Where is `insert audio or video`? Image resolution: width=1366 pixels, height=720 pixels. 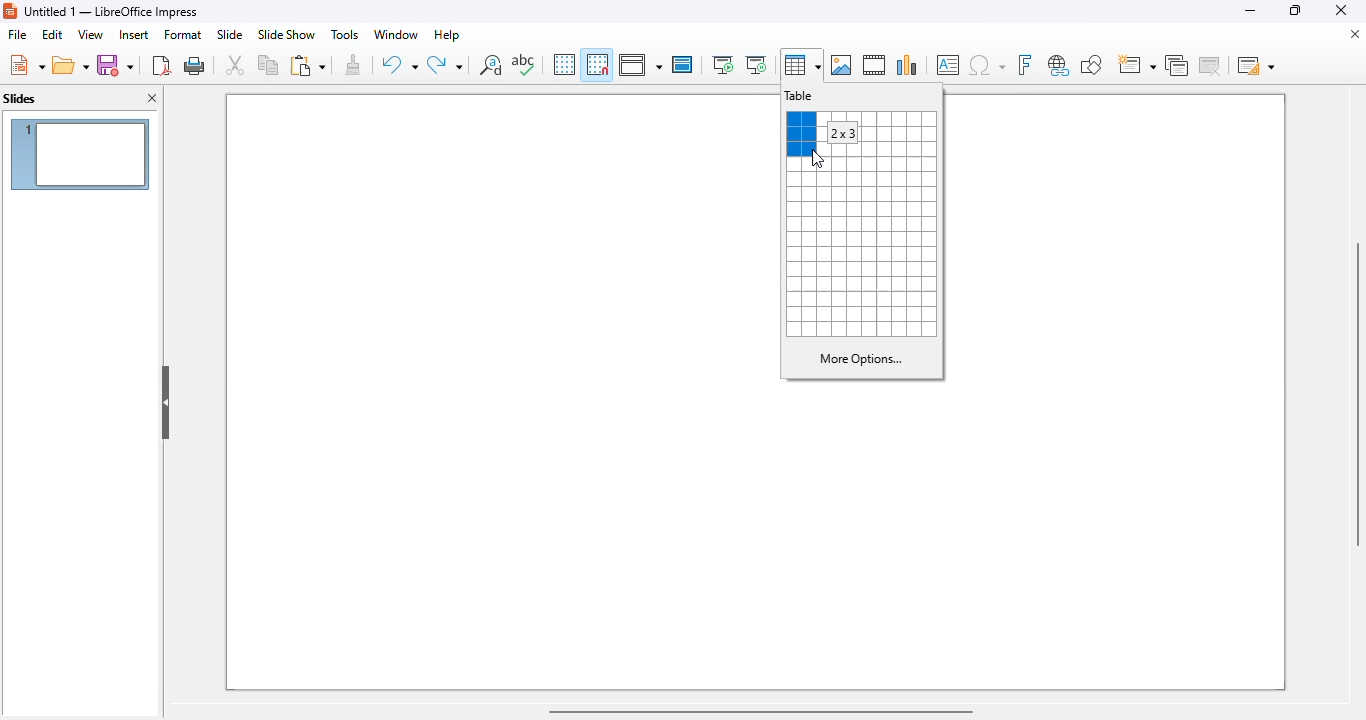 insert audio or video is located at coordinates (874, 64).